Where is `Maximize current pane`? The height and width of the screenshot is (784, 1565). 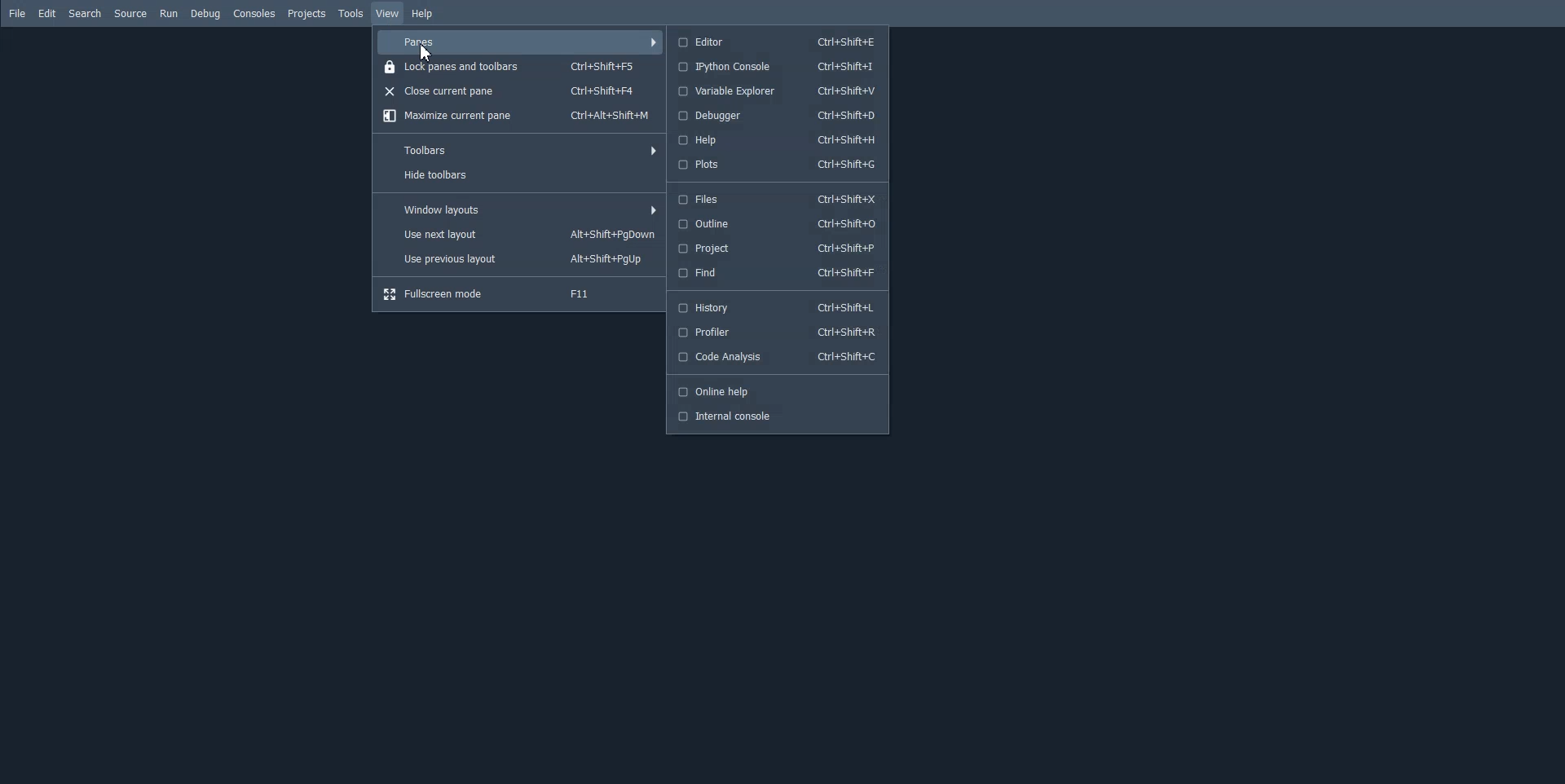 Maximize current pane is located at coordinates (517, 116).